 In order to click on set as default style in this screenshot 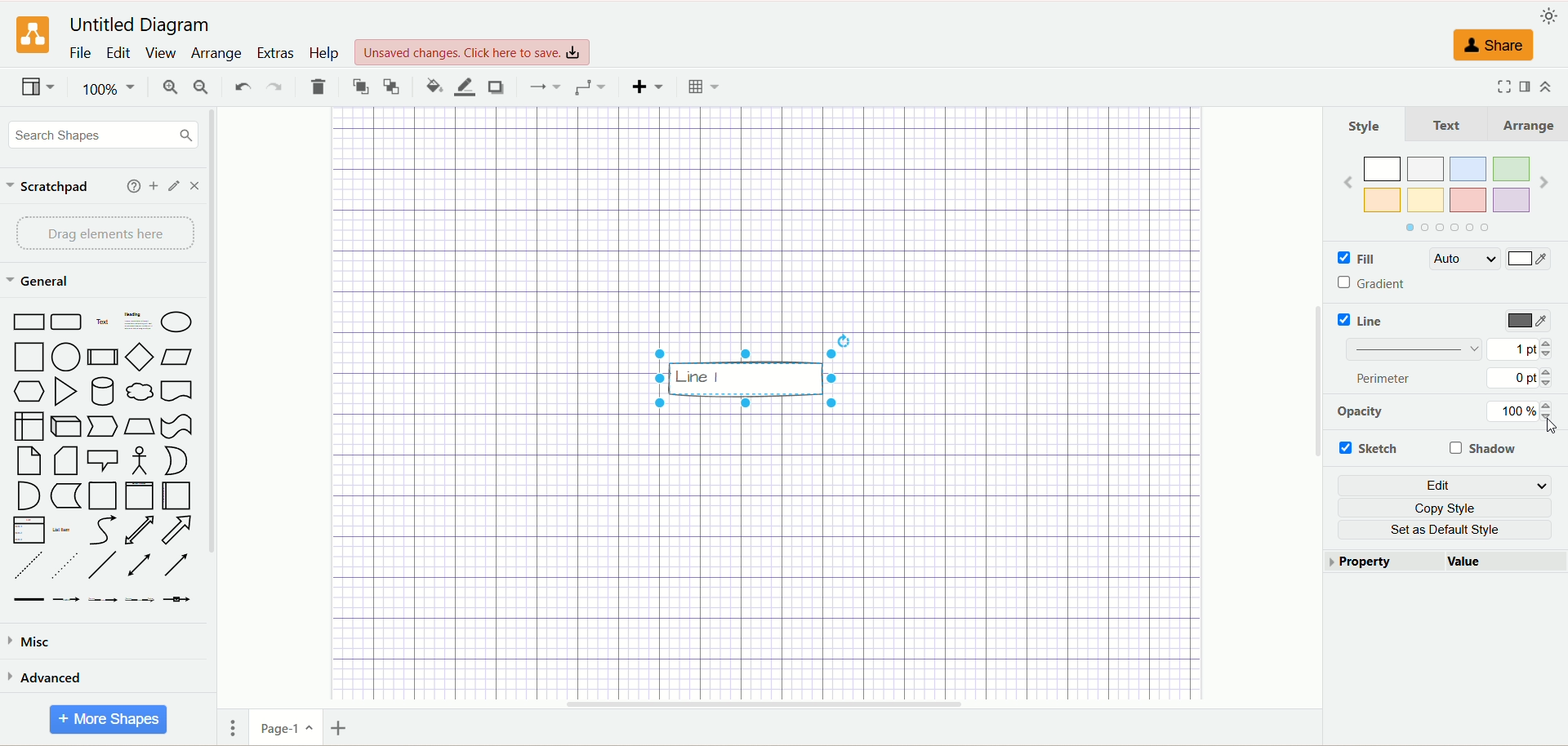, I will do `click(1445, 530)`.